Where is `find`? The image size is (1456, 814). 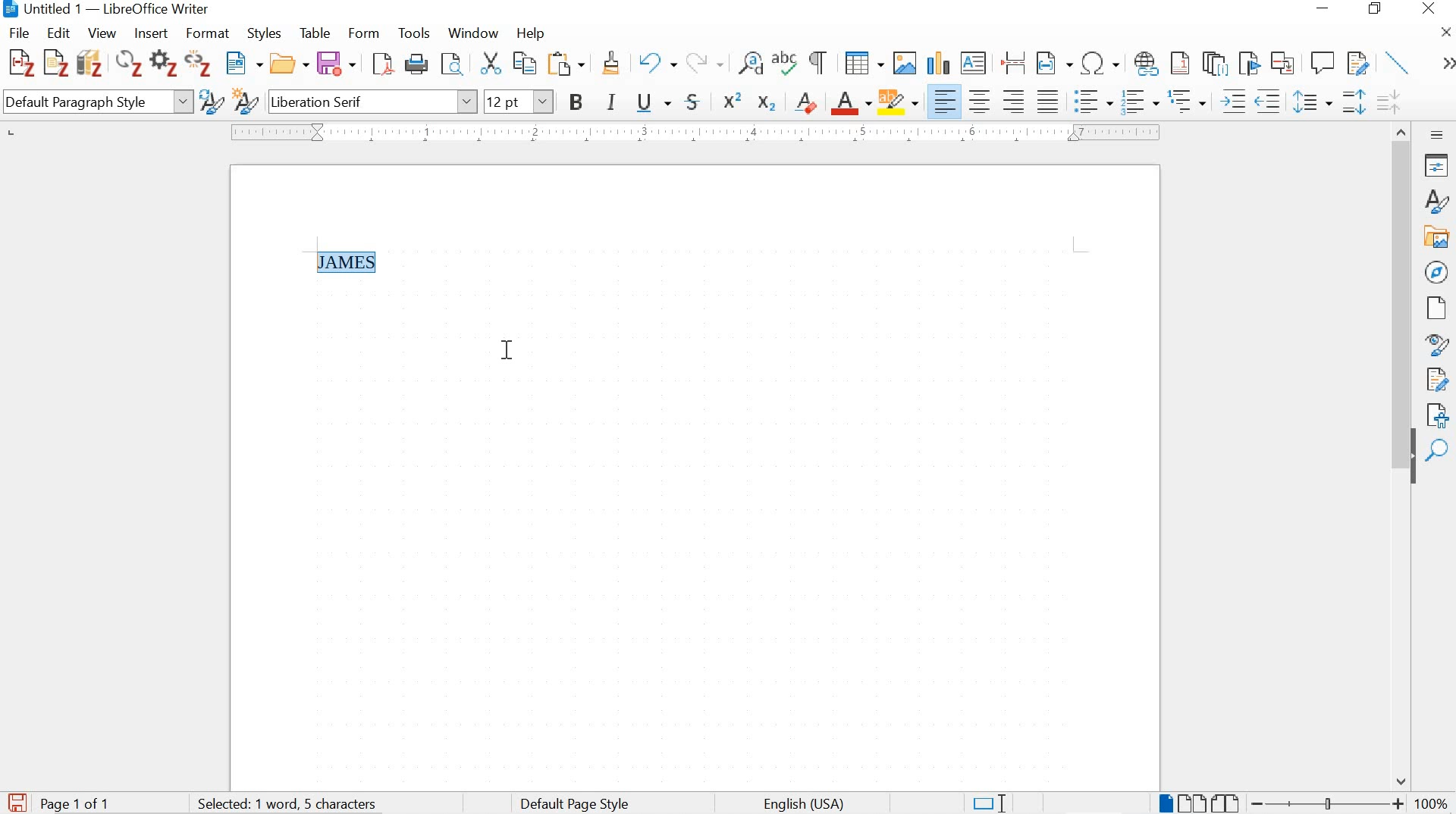 find is located at coordinates (1439, 451).